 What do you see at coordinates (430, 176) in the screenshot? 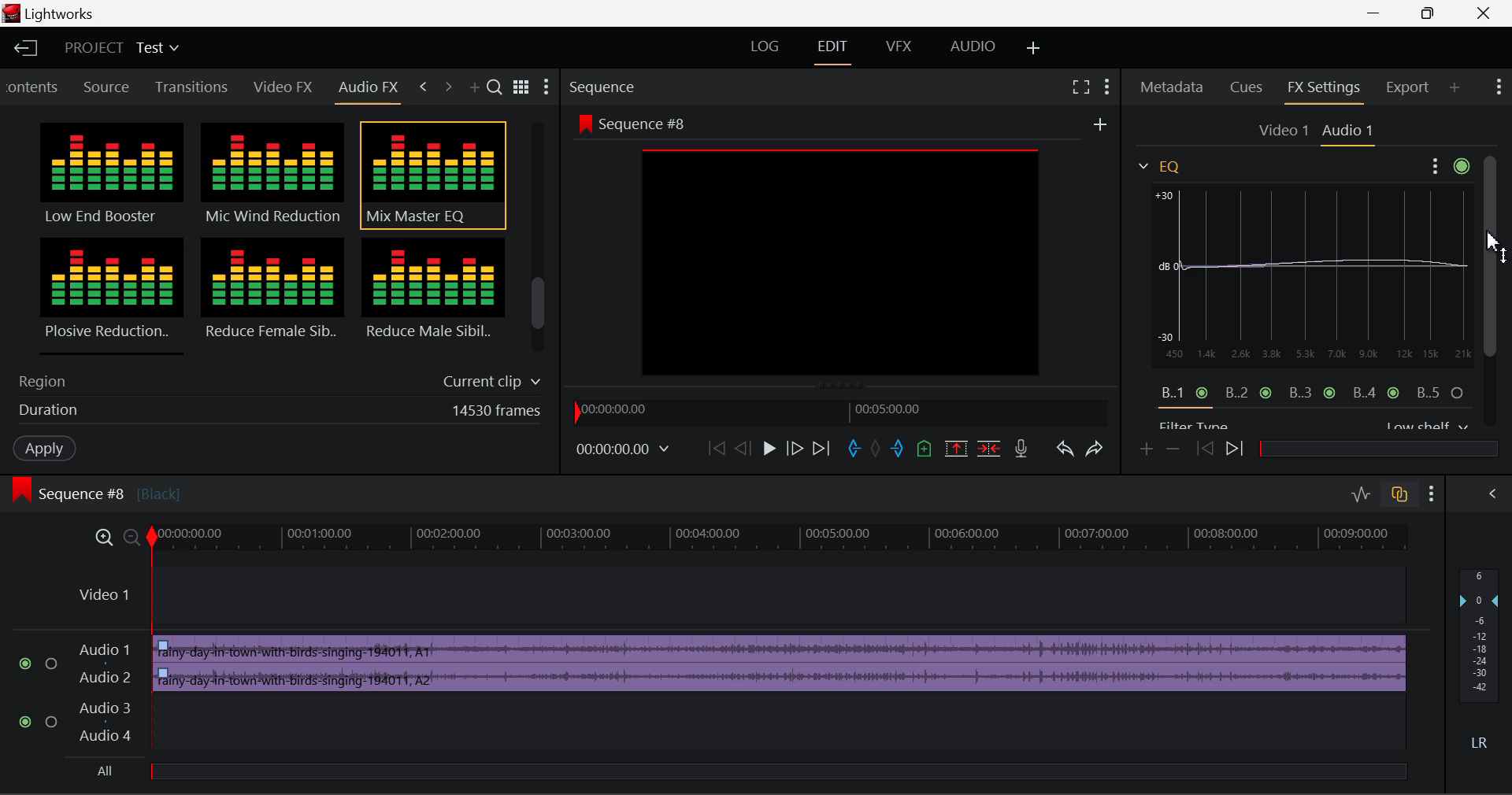
I see `Mix Master EQ` at bounding box center [430, 176].